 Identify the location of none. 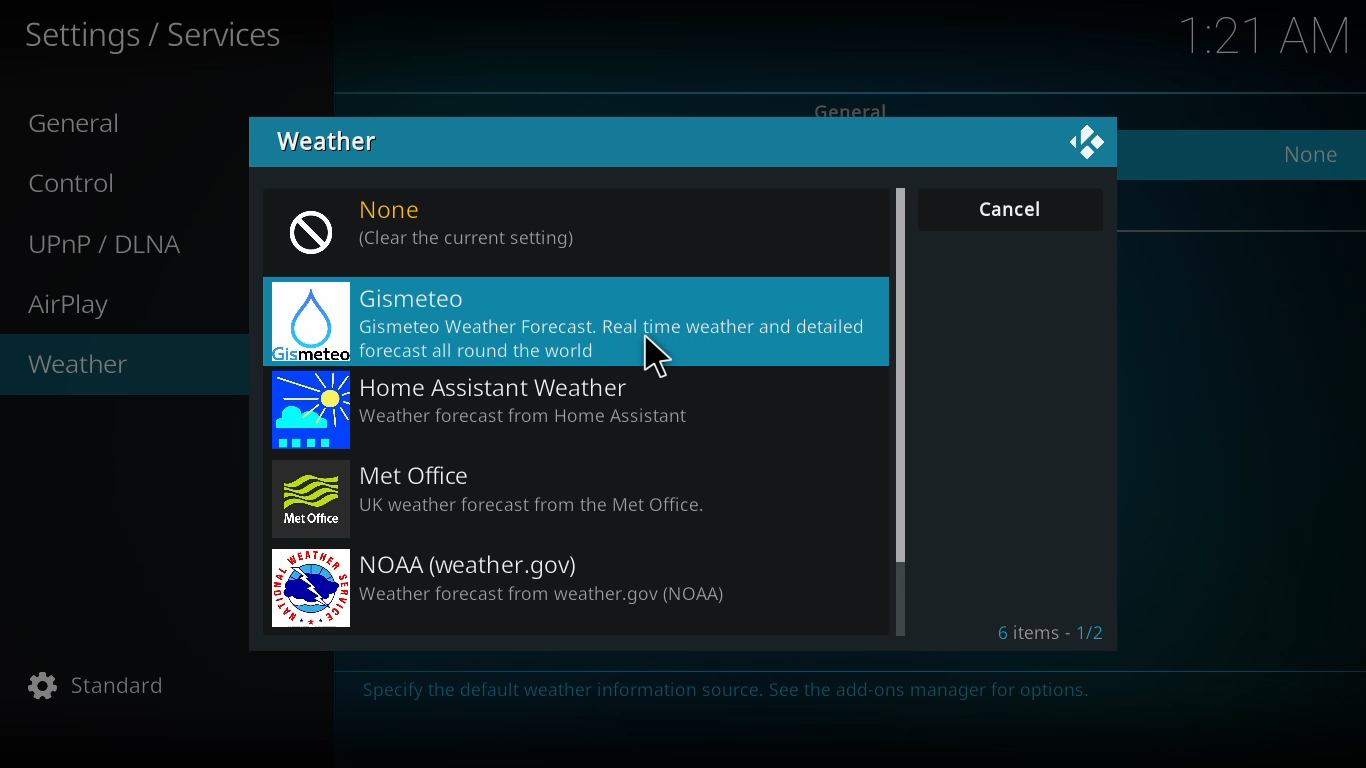
(1311, 154).